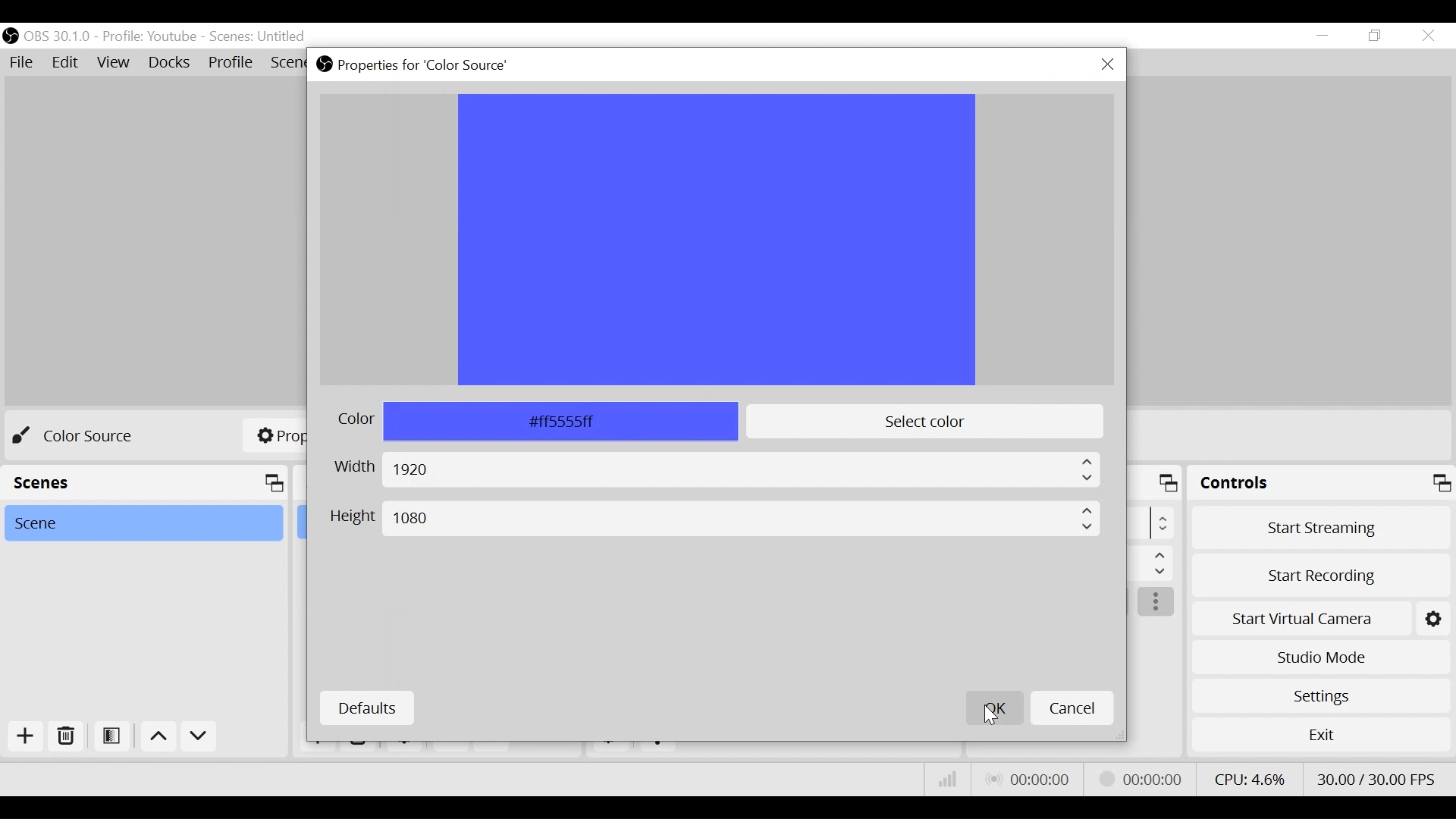 Image resolution: width=1456 pixels, height=819 pixels. I want to click on OK, so click(993, 709).